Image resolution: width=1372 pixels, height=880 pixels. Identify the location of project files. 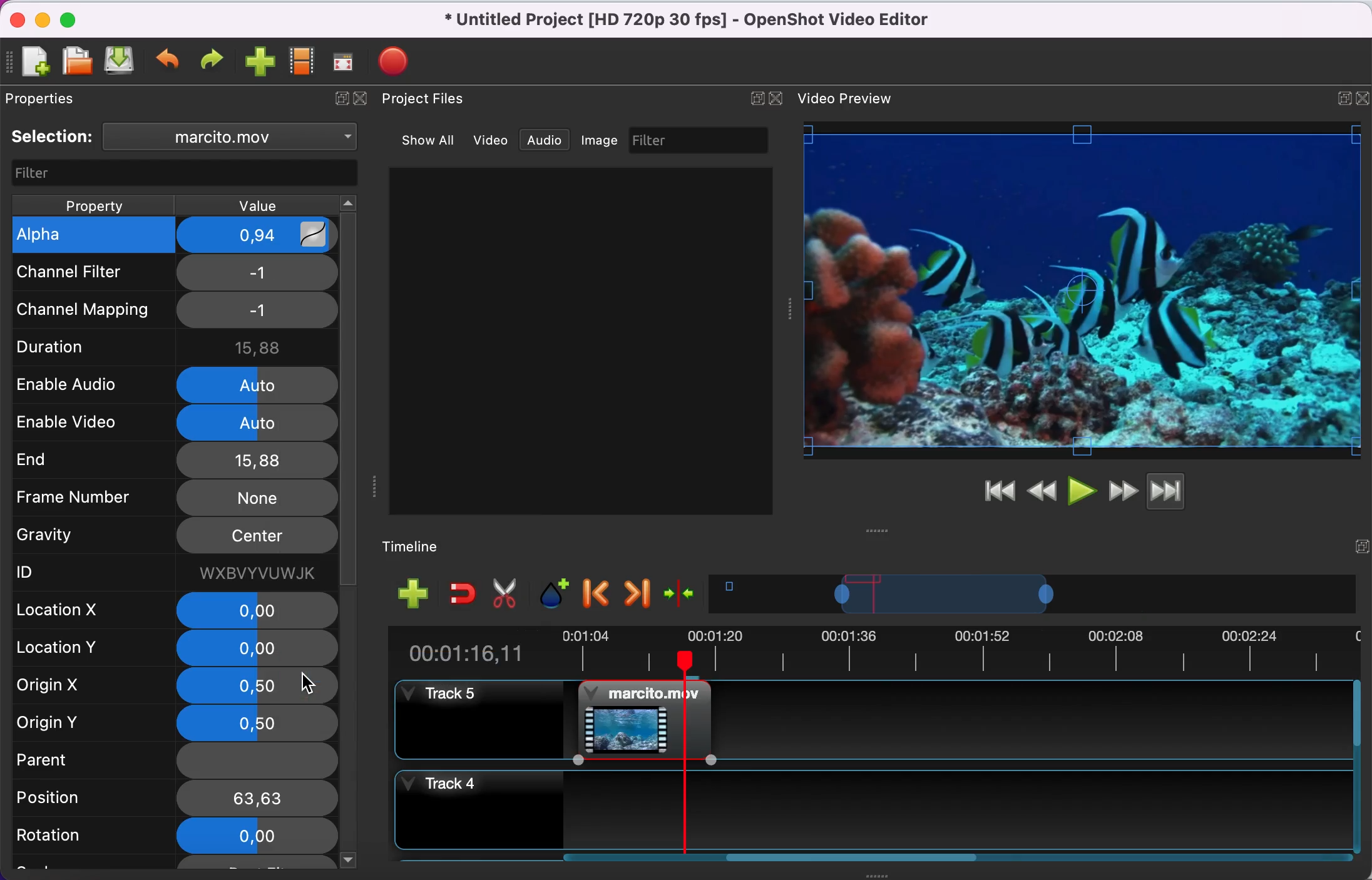
(58, 99).